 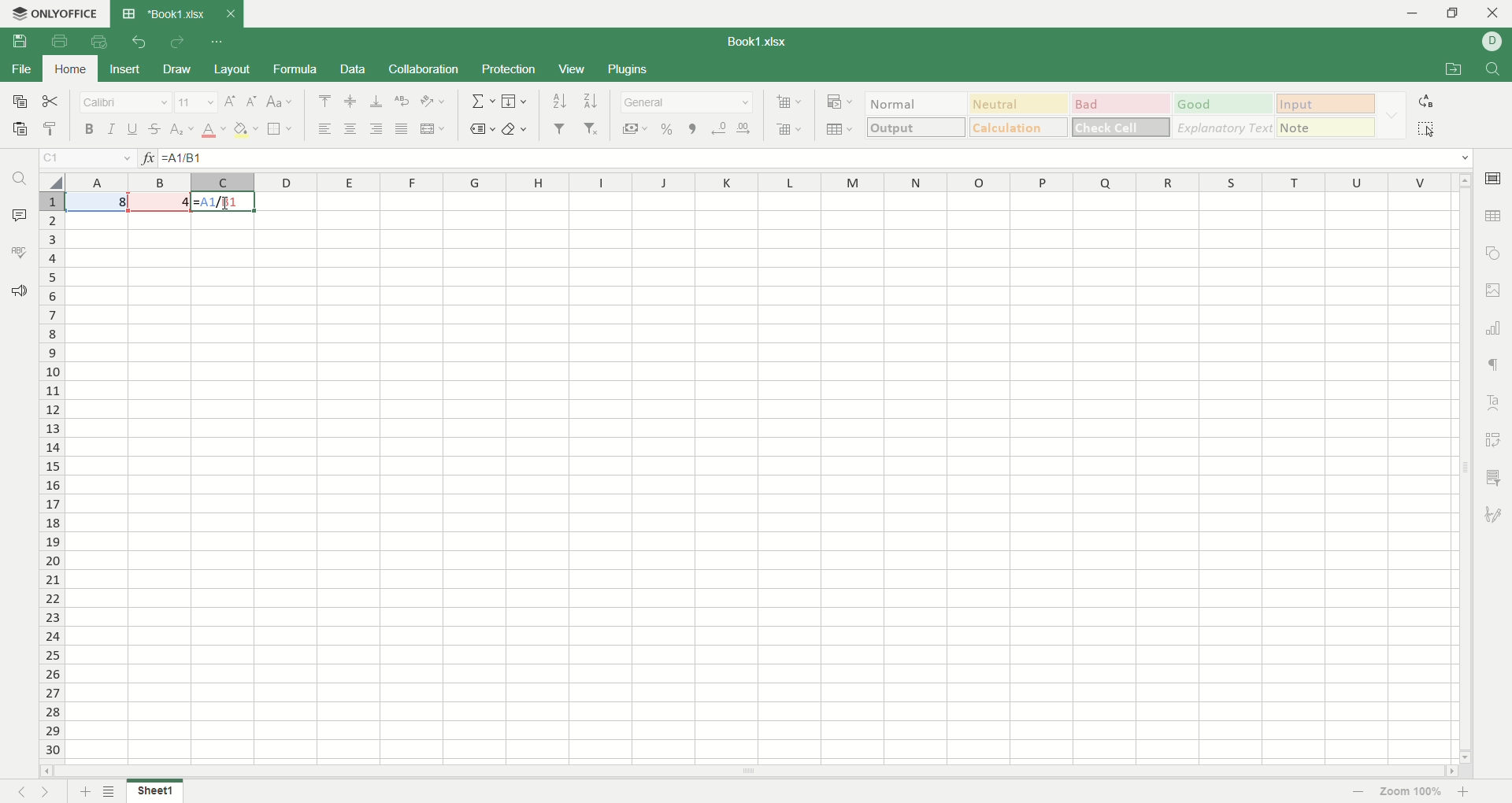 What do you see at coordinates (718, 129) in the screenshot?
I see `decrease decimal` at bounding box center [718, 129].